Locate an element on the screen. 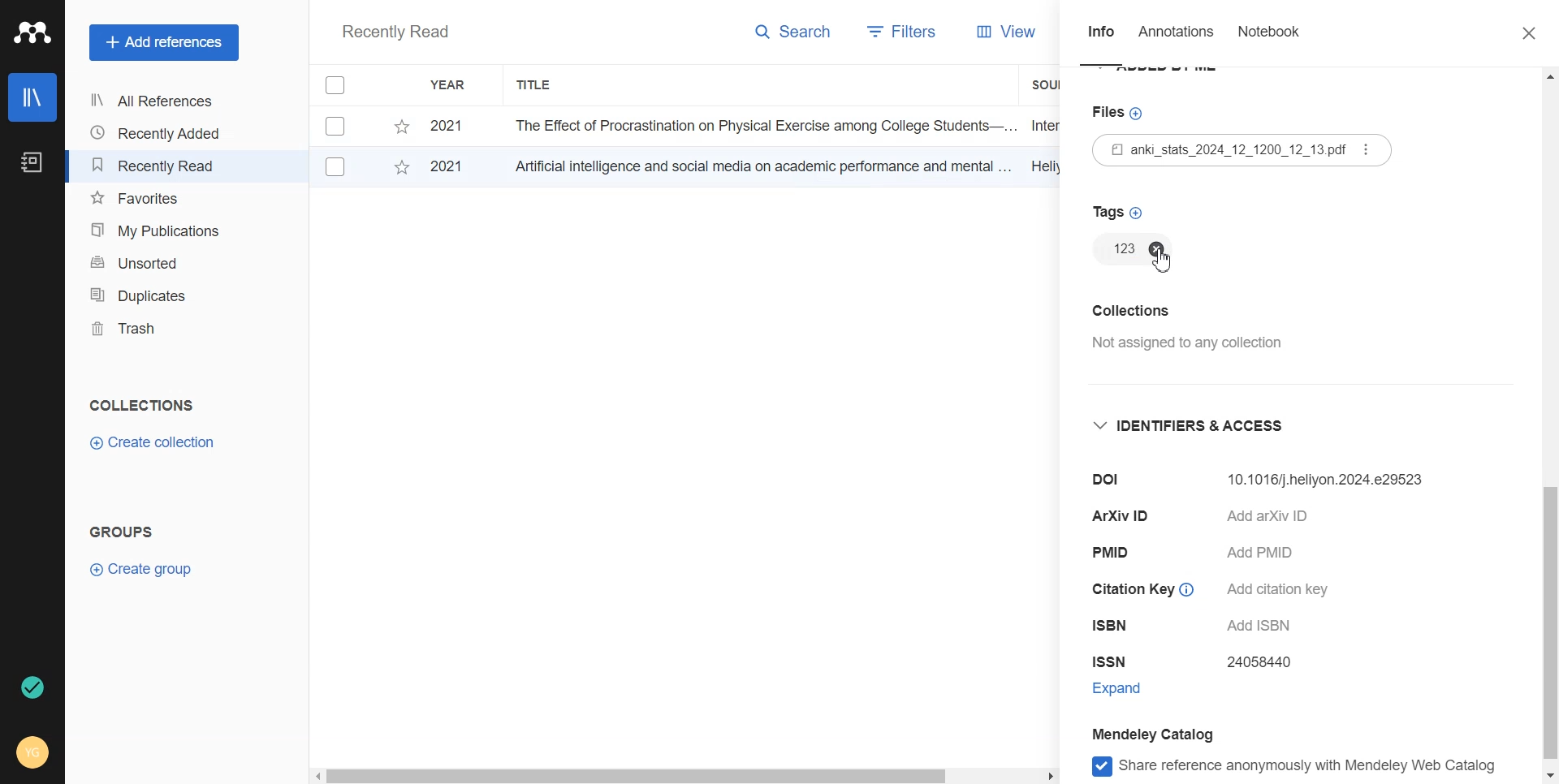 The image size is (1559, 784). View is located at coordinates (992, 32).